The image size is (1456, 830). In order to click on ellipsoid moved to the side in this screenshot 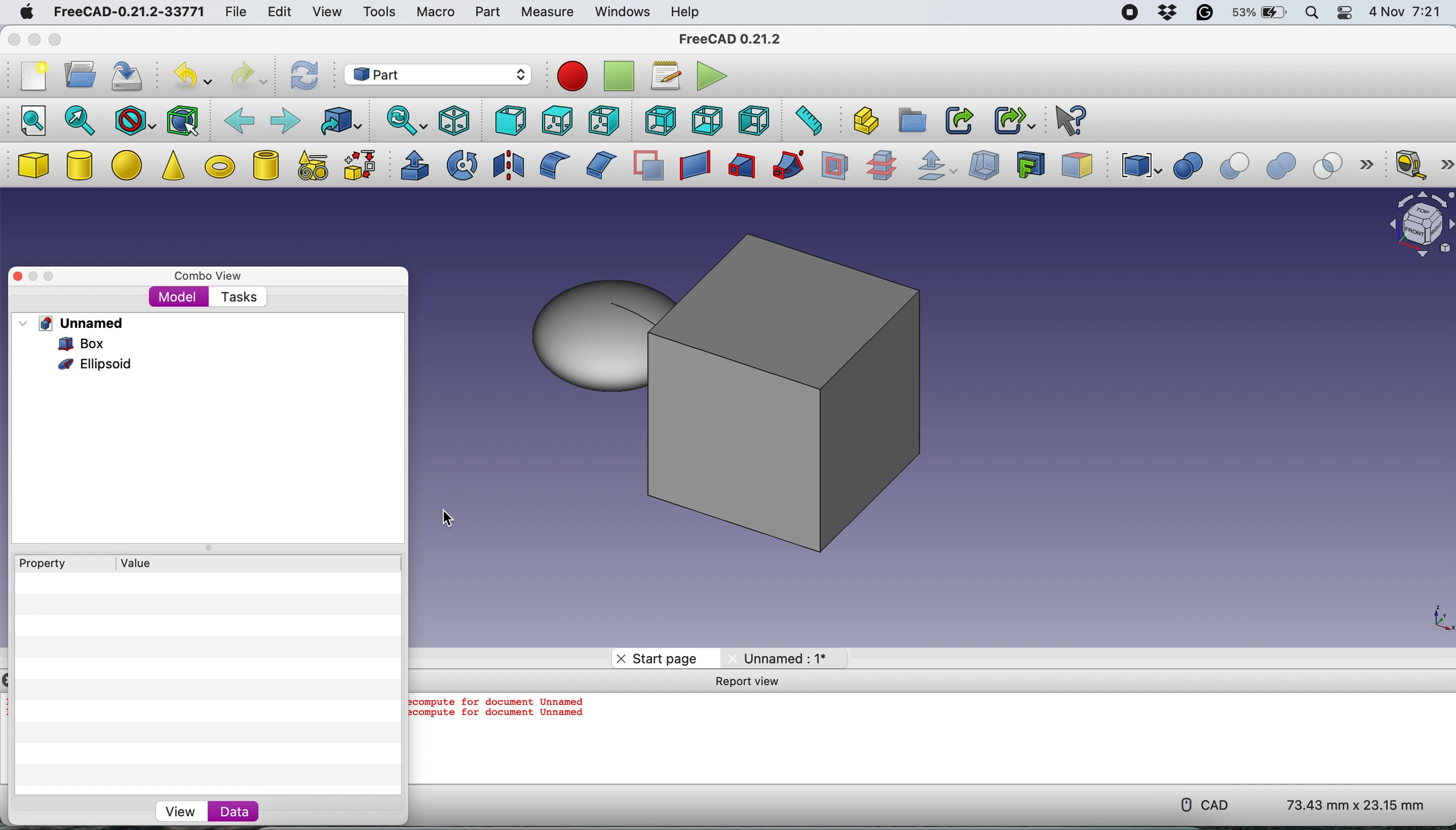, I will do `click(586, 337)`.